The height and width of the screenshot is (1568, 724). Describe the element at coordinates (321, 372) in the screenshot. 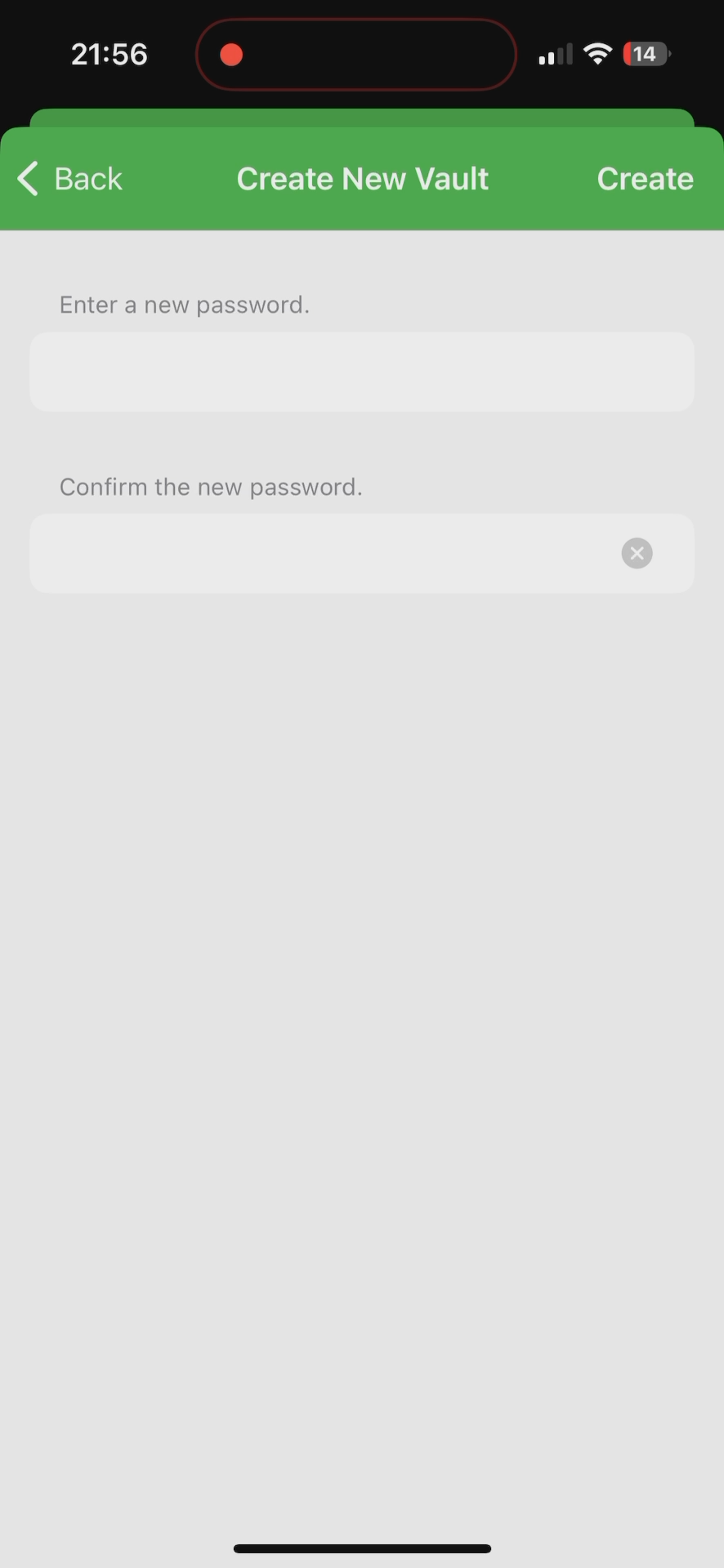

I see `caption for new password` at that location.